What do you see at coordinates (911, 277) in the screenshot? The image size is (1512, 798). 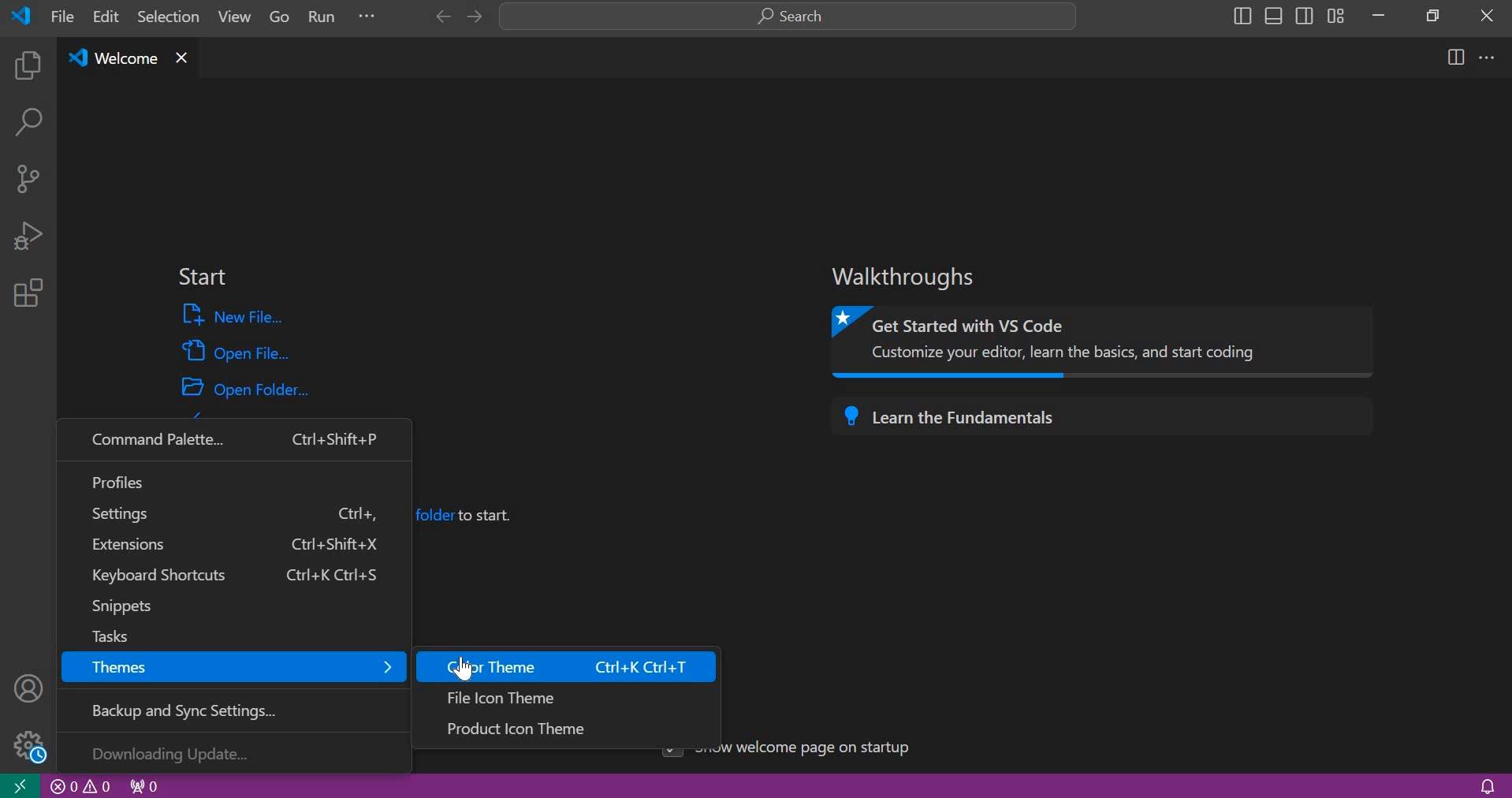 I see `walkthroughs` at bounding box center [911, 277].